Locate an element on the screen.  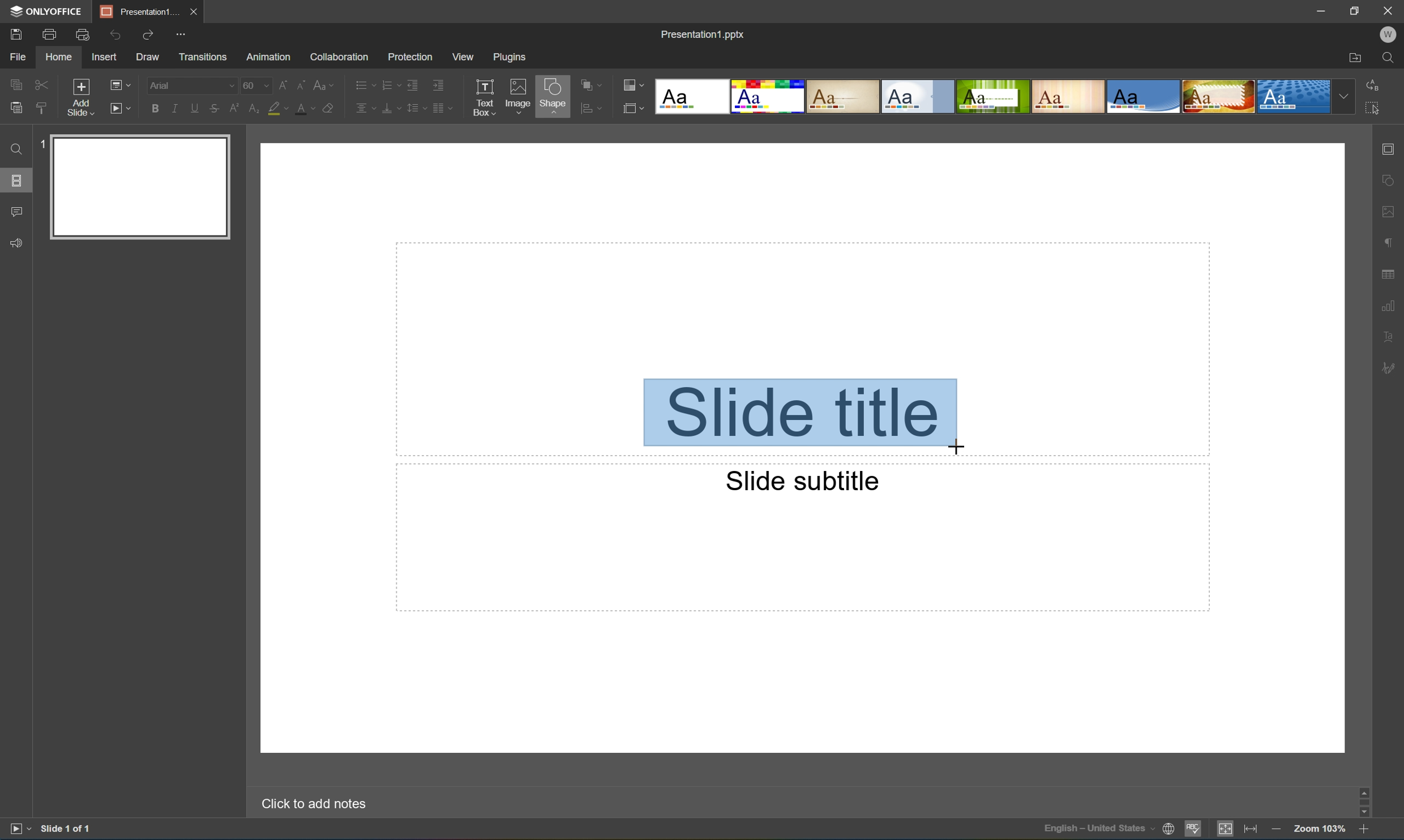
Decrement font size is located at coordinates (301, 84).